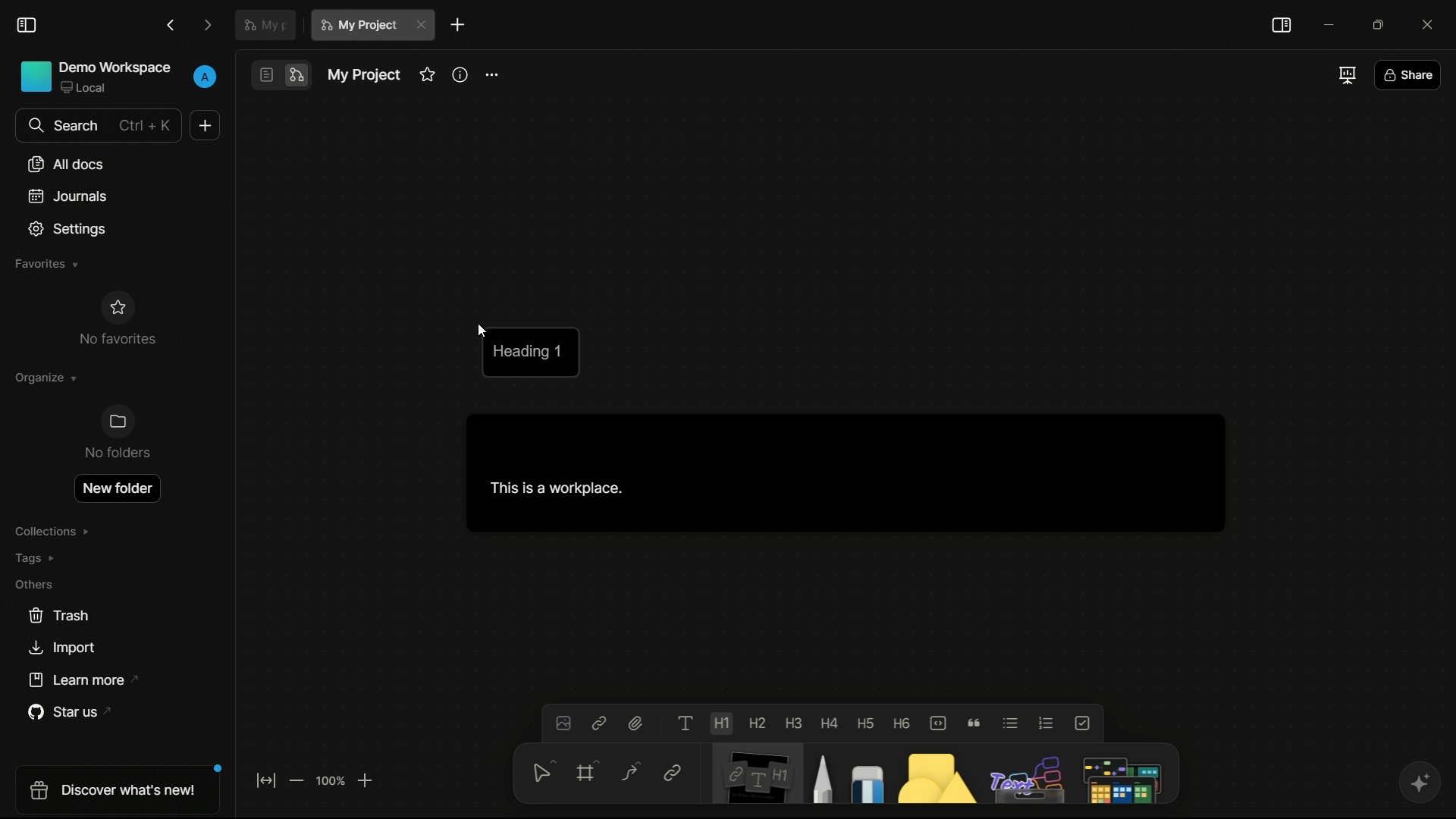  I want to click on others, so click(35, 586).